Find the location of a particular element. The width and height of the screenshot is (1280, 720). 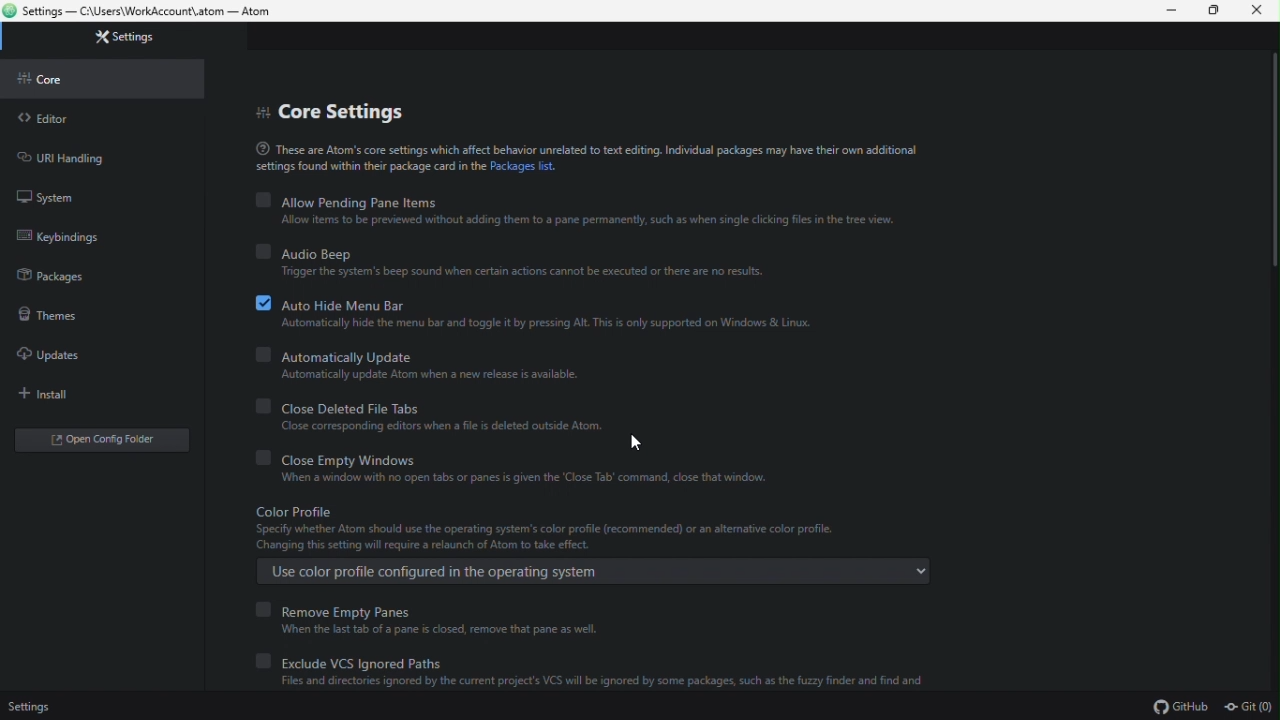

Tigger the system's beep sound when certain actions cannot be executed or there are no results. is located at coordinates (518, 274).